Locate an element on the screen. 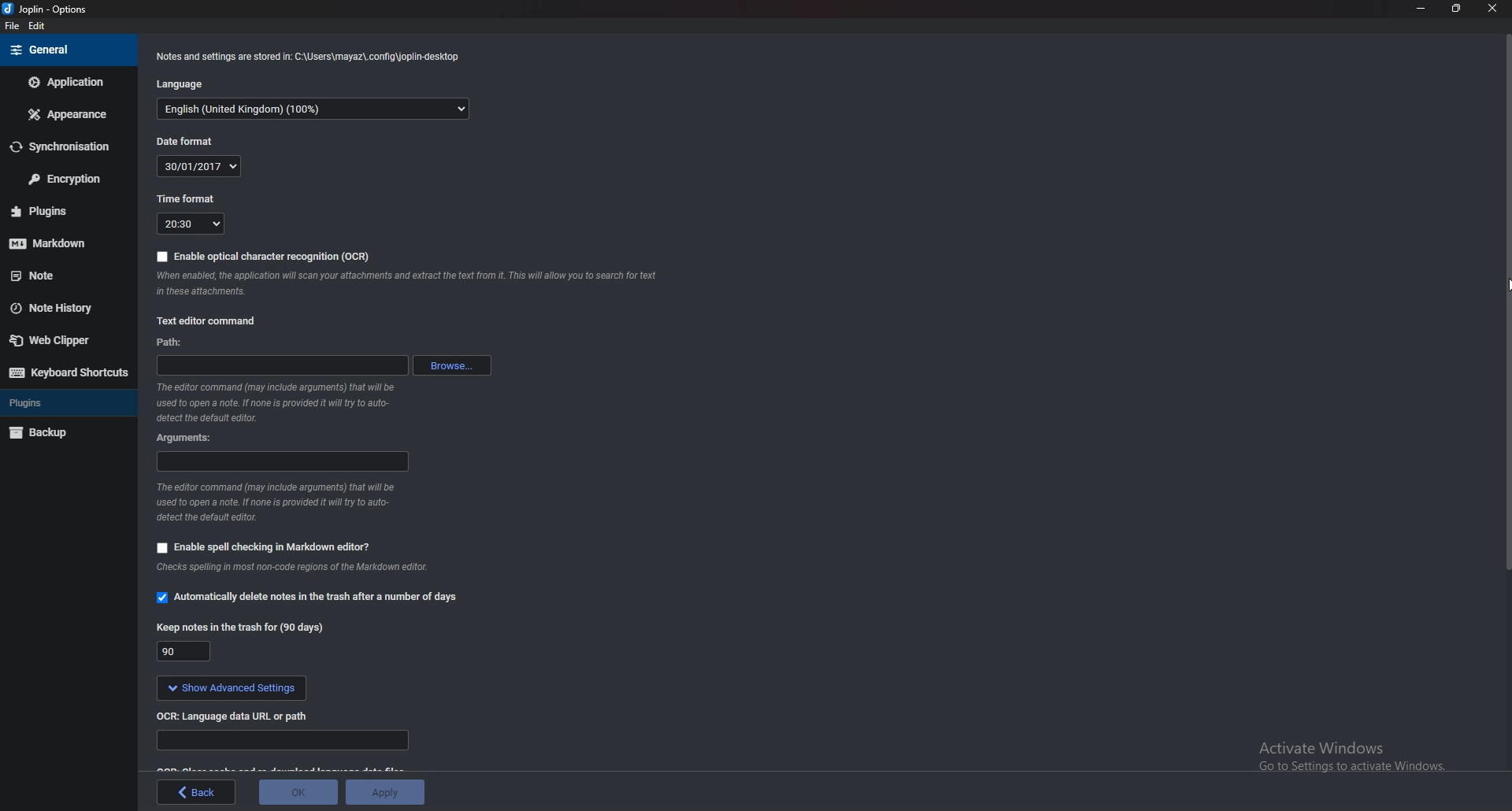  apply is located at coordinates (384, 792).